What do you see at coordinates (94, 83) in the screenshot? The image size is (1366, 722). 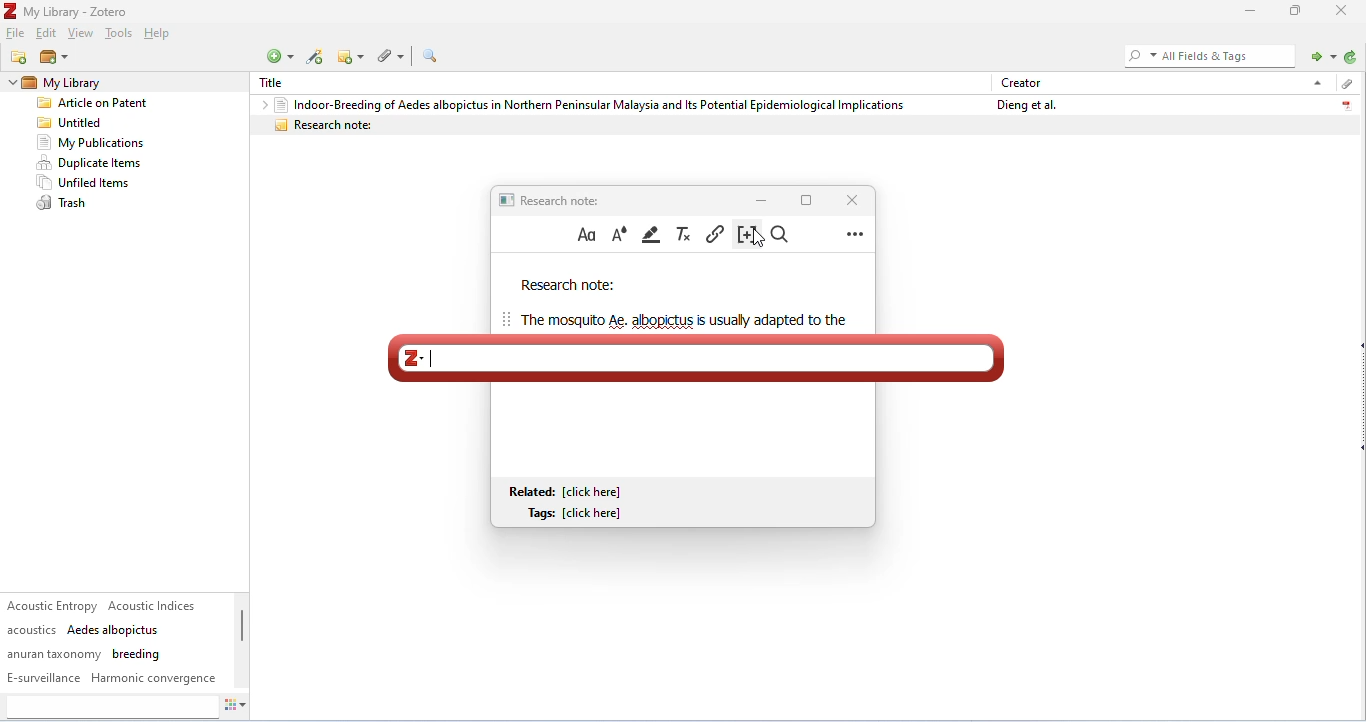 I see `my library` at bounding box center [94, 83].